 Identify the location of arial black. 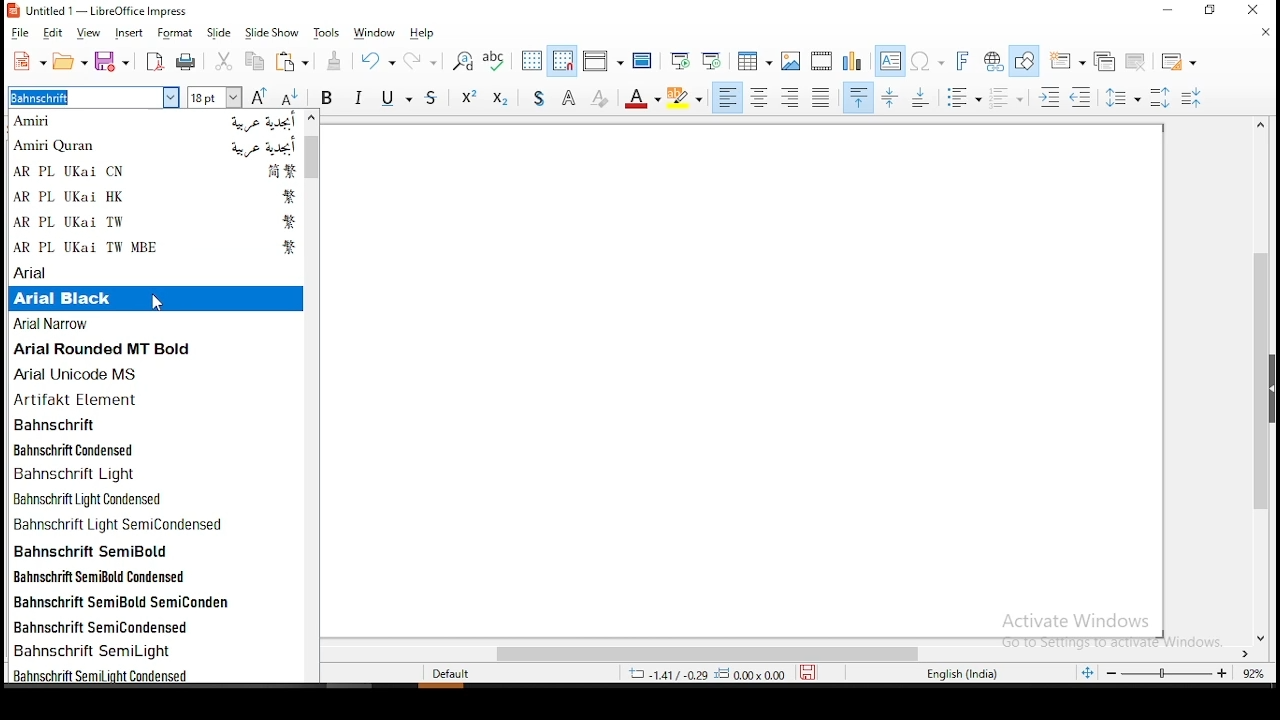
(152, 298).